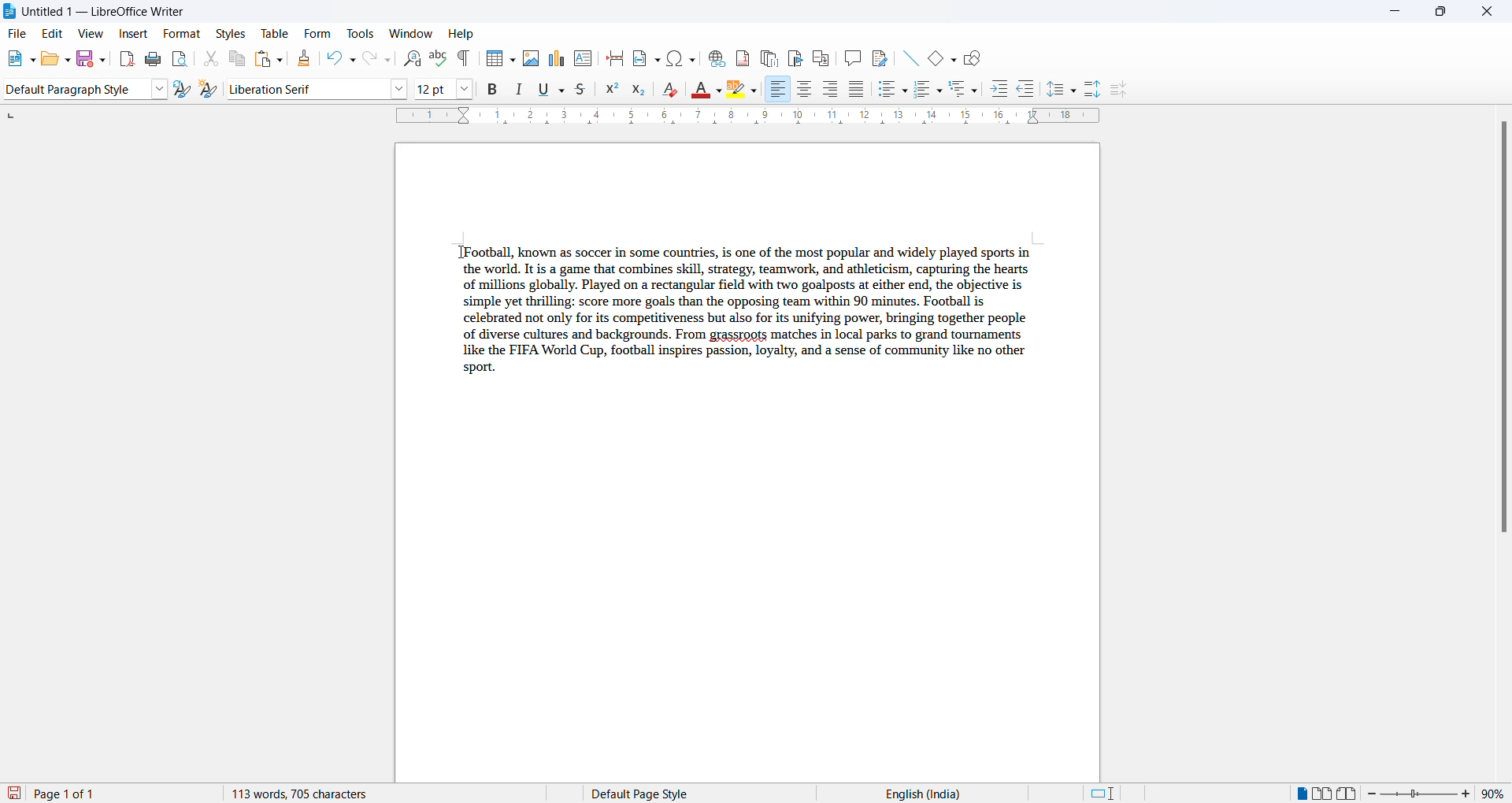 The image size is (1512, 803). Describe the element at coordinates (854, 57) in the screenshot. I see `insert comments` at that location.